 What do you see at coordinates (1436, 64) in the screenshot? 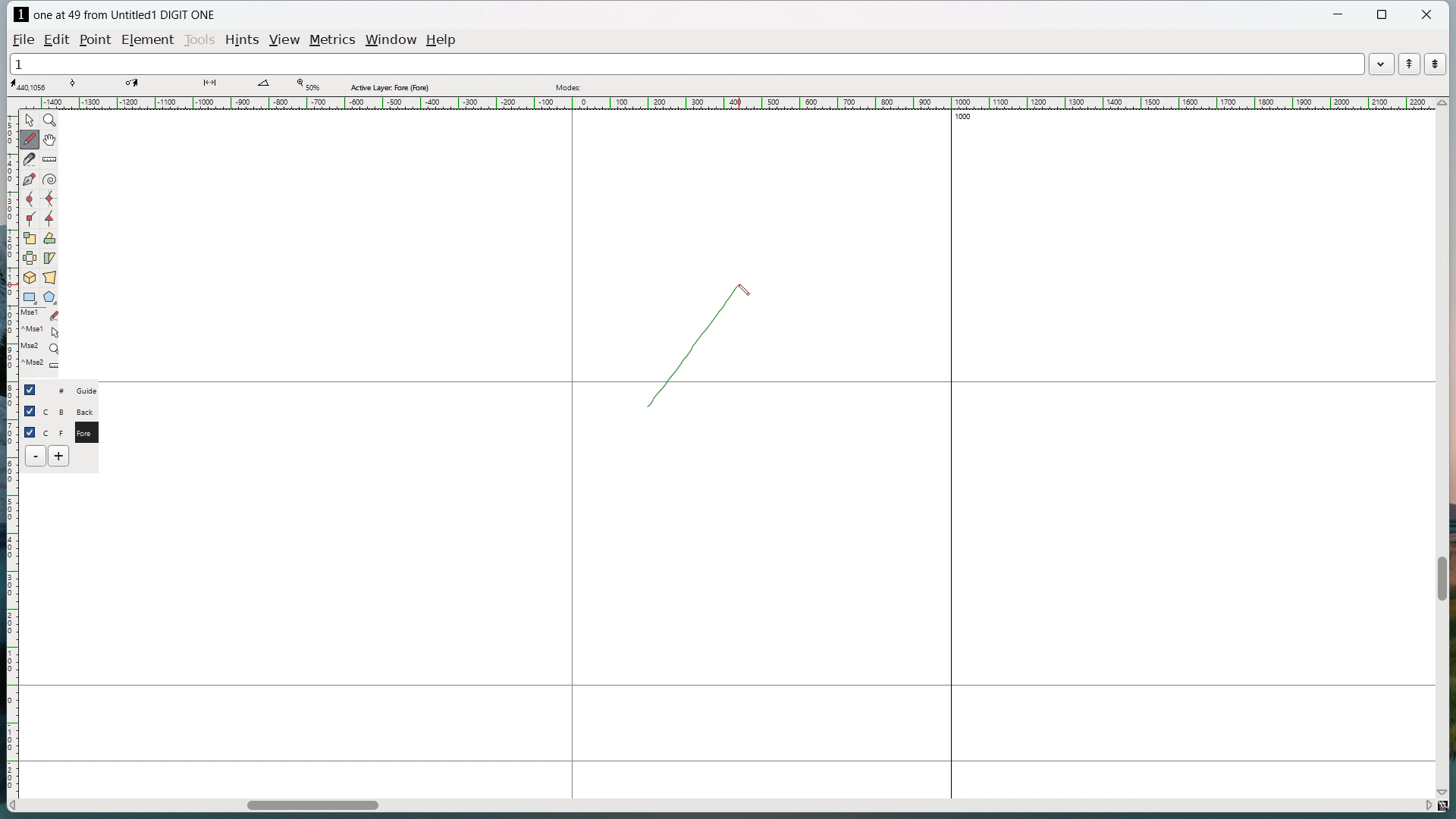
I see `show the next word in the word list` at bounding box center [1436, 64].